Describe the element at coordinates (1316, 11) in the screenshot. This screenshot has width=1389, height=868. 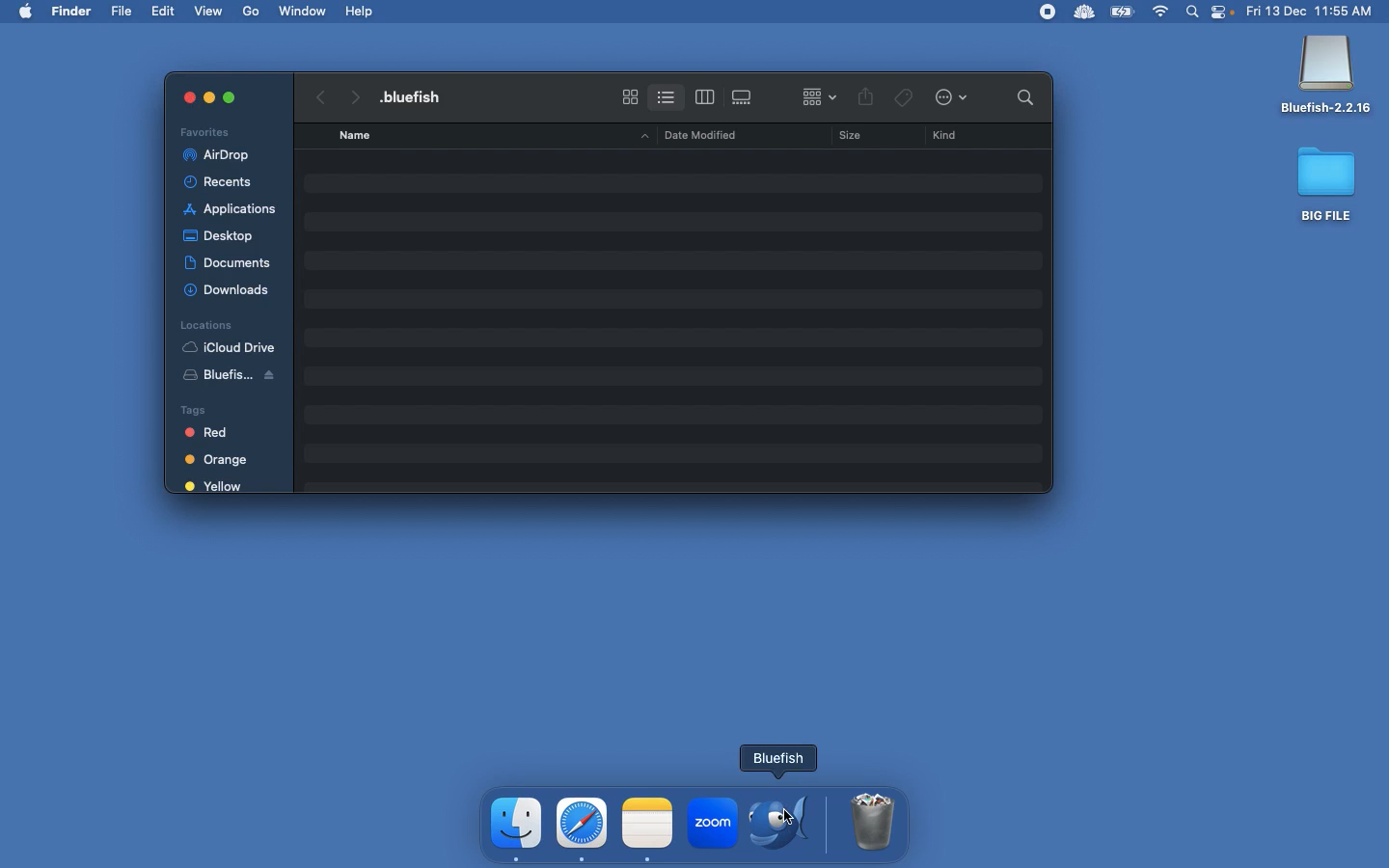
I see `Date time` at that location.